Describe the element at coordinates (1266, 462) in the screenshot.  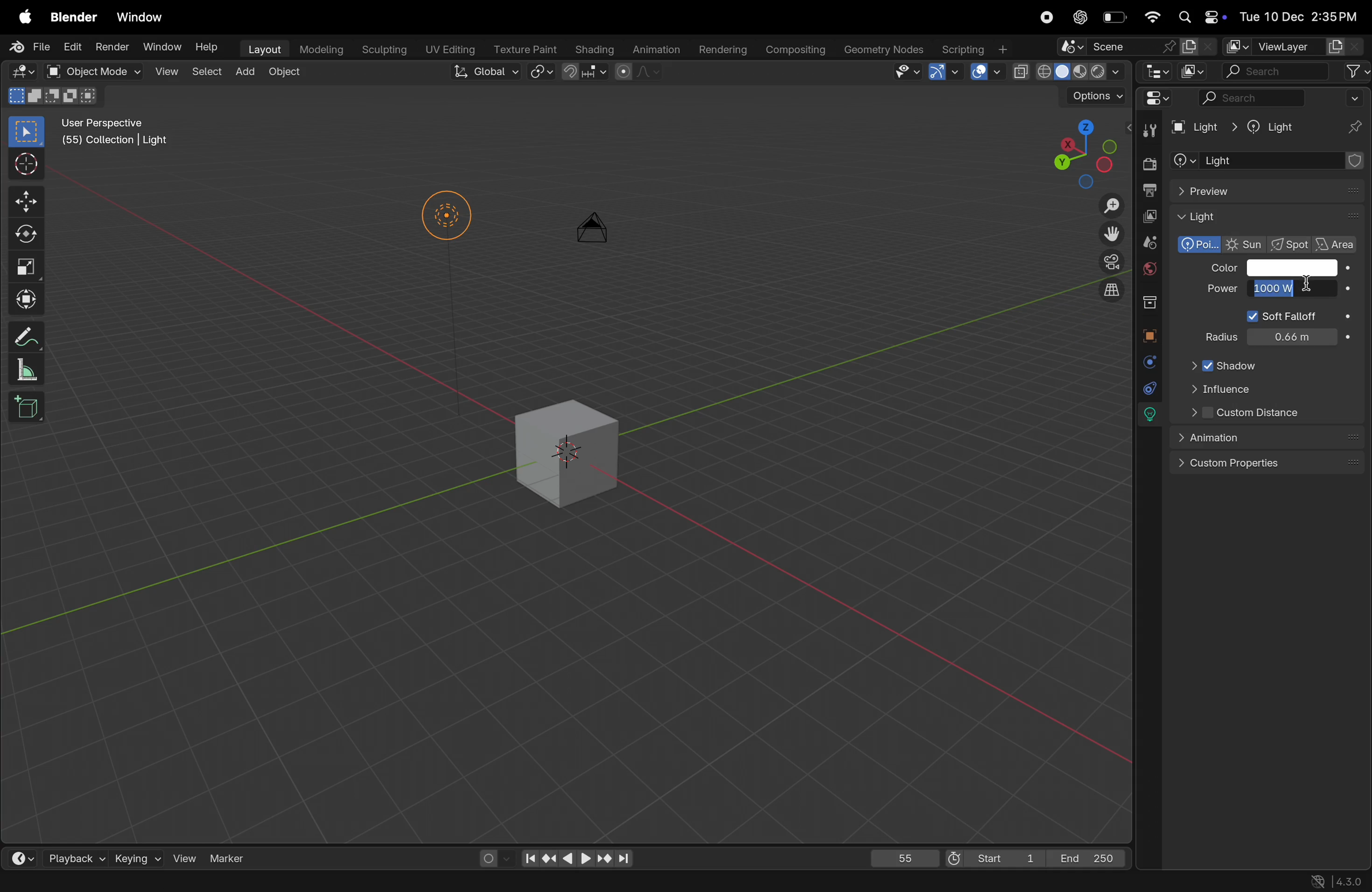
I see `custom properties` at that location.